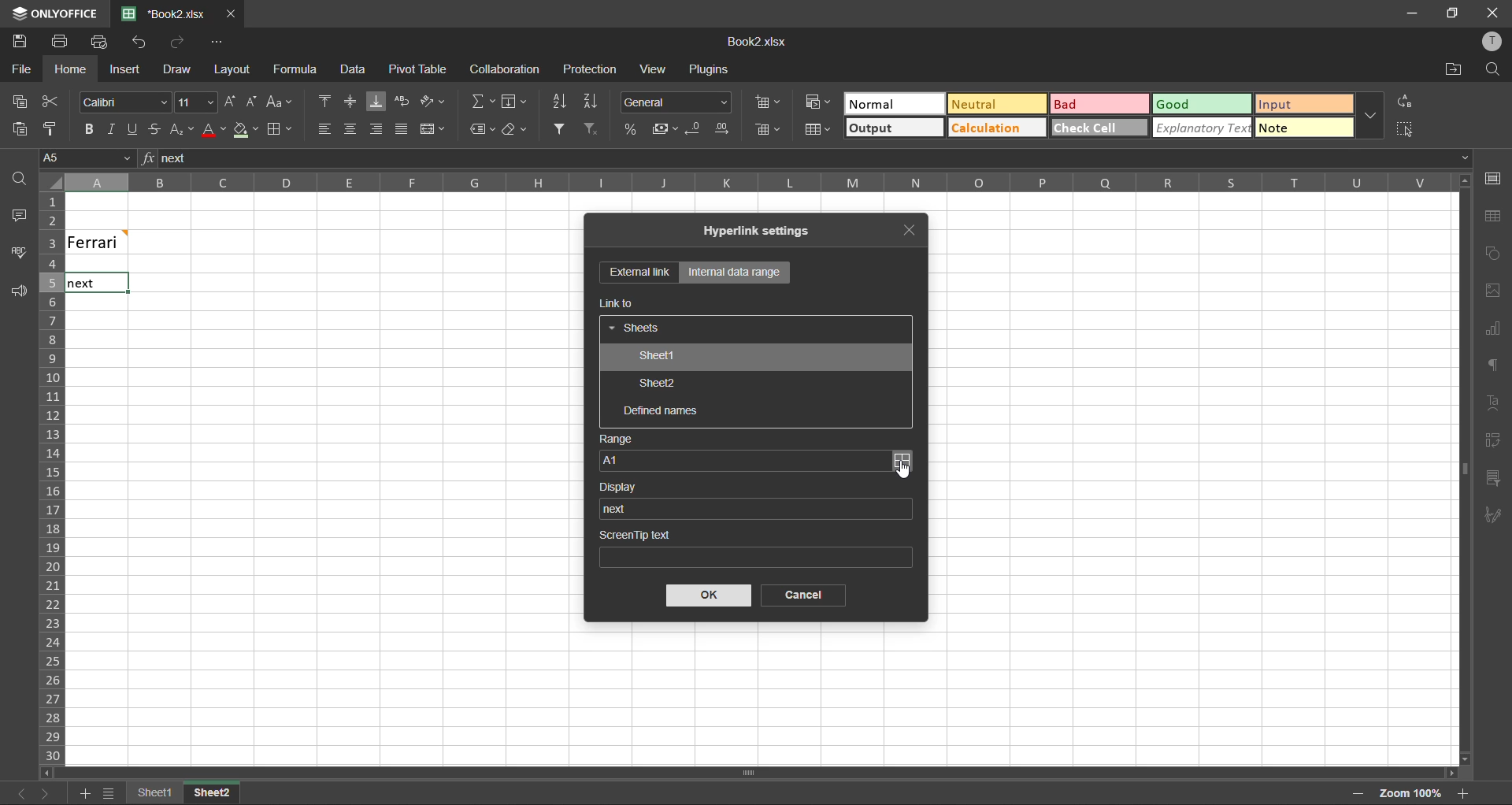 The width and height of the screenshot is (1512, 805). I want to click on sort descending, so click(591, 103).